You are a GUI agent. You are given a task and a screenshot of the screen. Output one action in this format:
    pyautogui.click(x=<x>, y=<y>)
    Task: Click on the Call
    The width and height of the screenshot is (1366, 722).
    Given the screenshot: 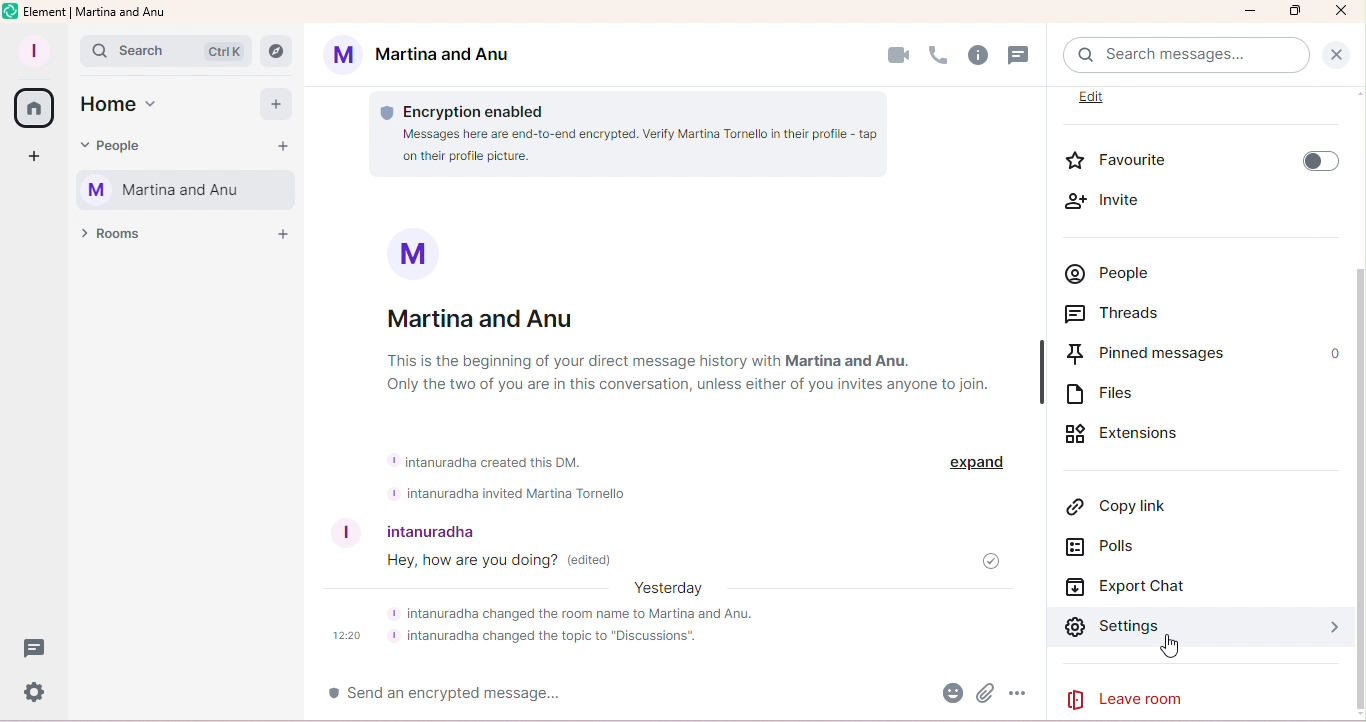 What is the action you would take?
    pyautogui.click(x=938, y=56)
    